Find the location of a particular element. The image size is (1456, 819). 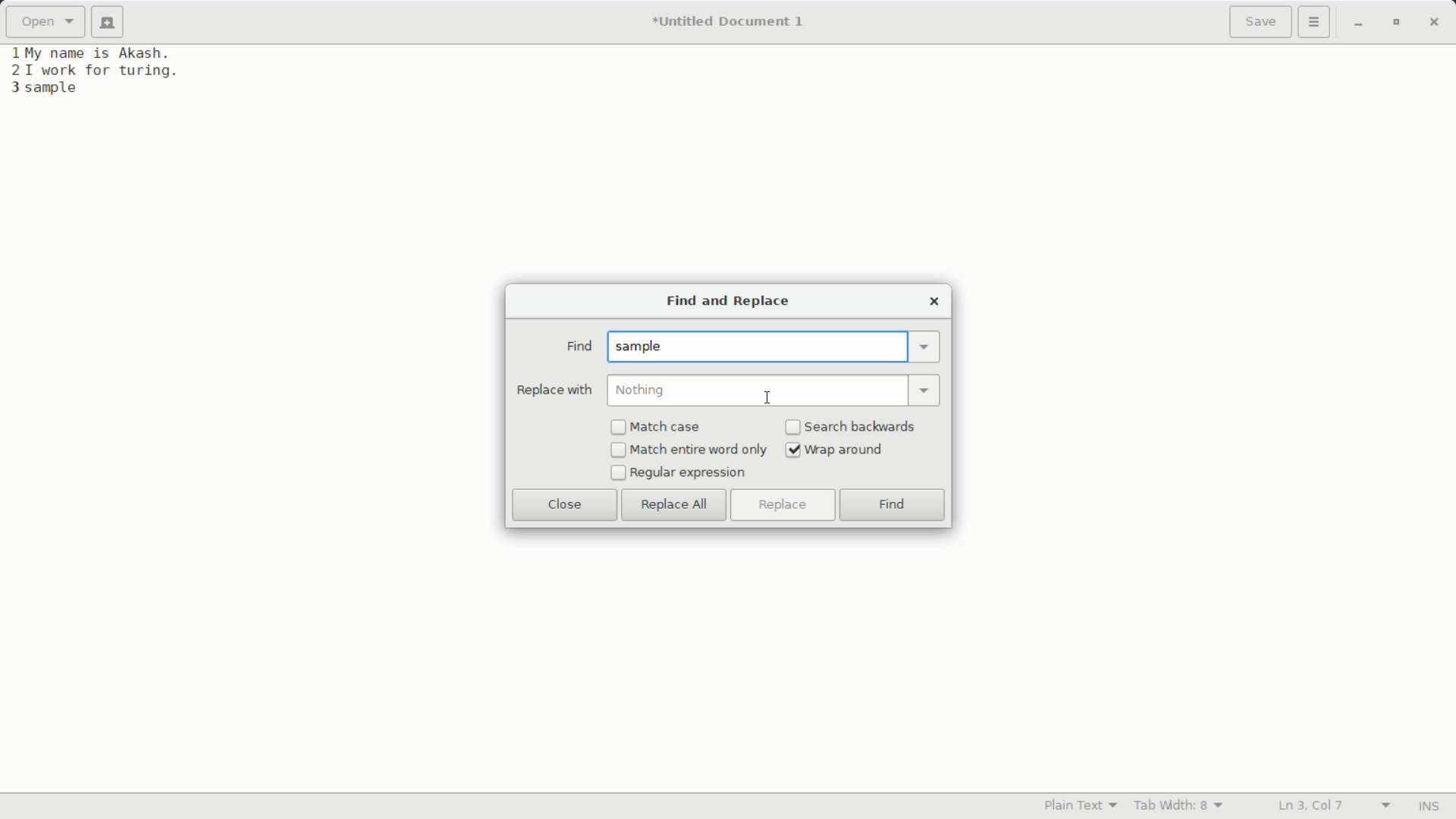

Checked checkbox is located at coordinates (793, 450).